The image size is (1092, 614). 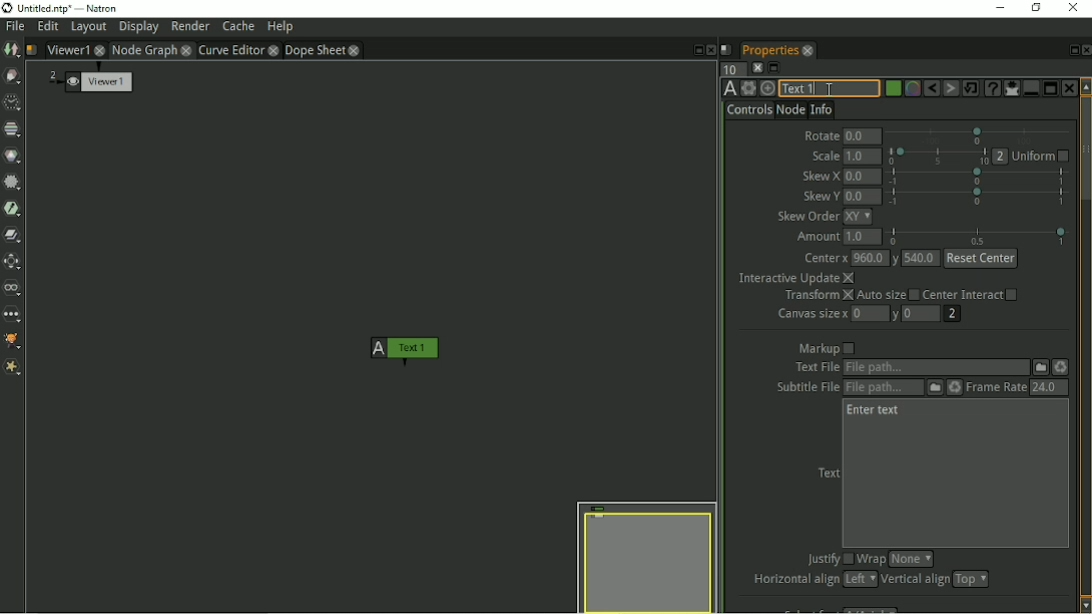 What do you see at coordinates (825, 348) in the screenshot?
I see `Markup` at bounding box center [825, 348].